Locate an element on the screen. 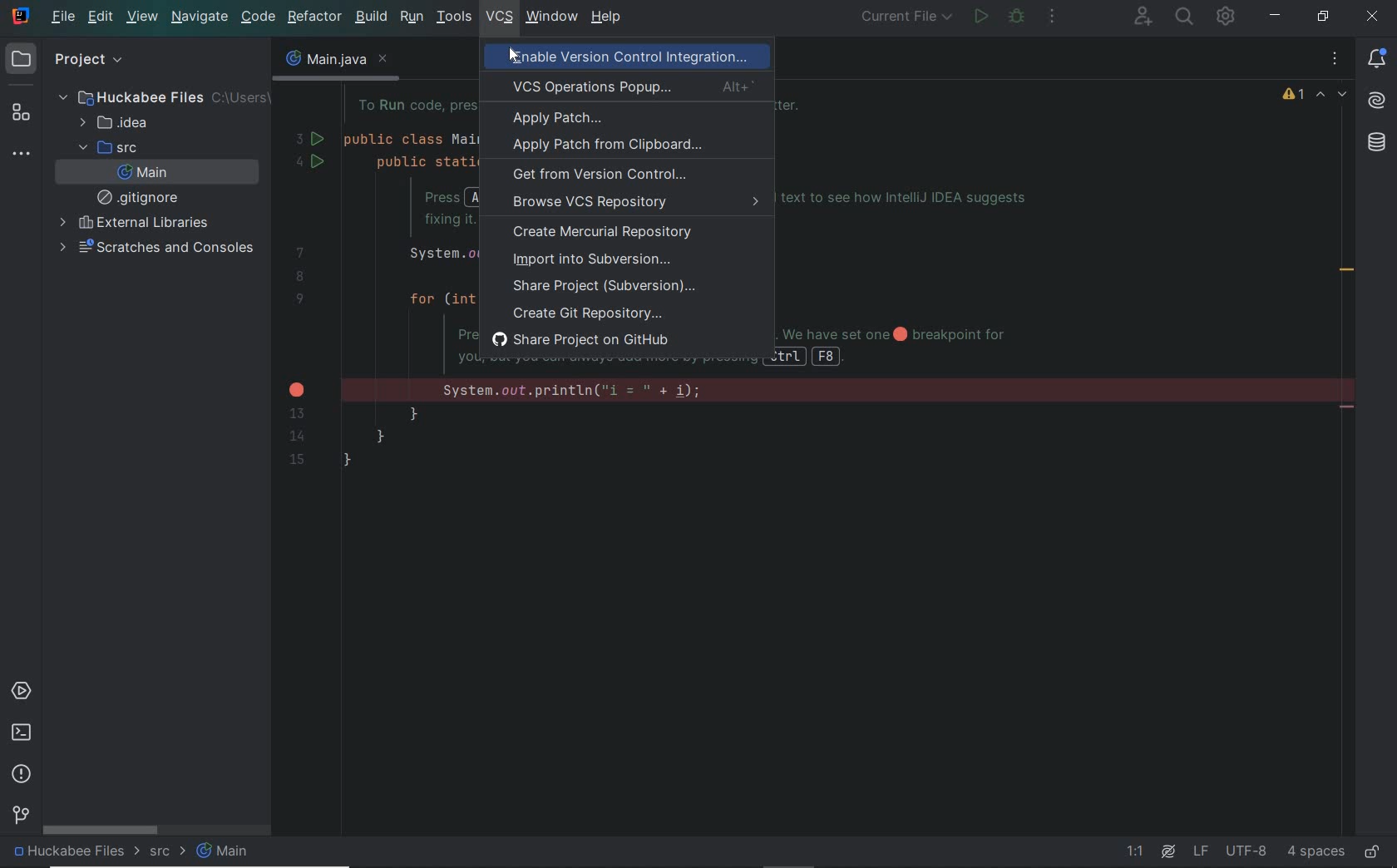  indent is located at coordinates (1314, 851).